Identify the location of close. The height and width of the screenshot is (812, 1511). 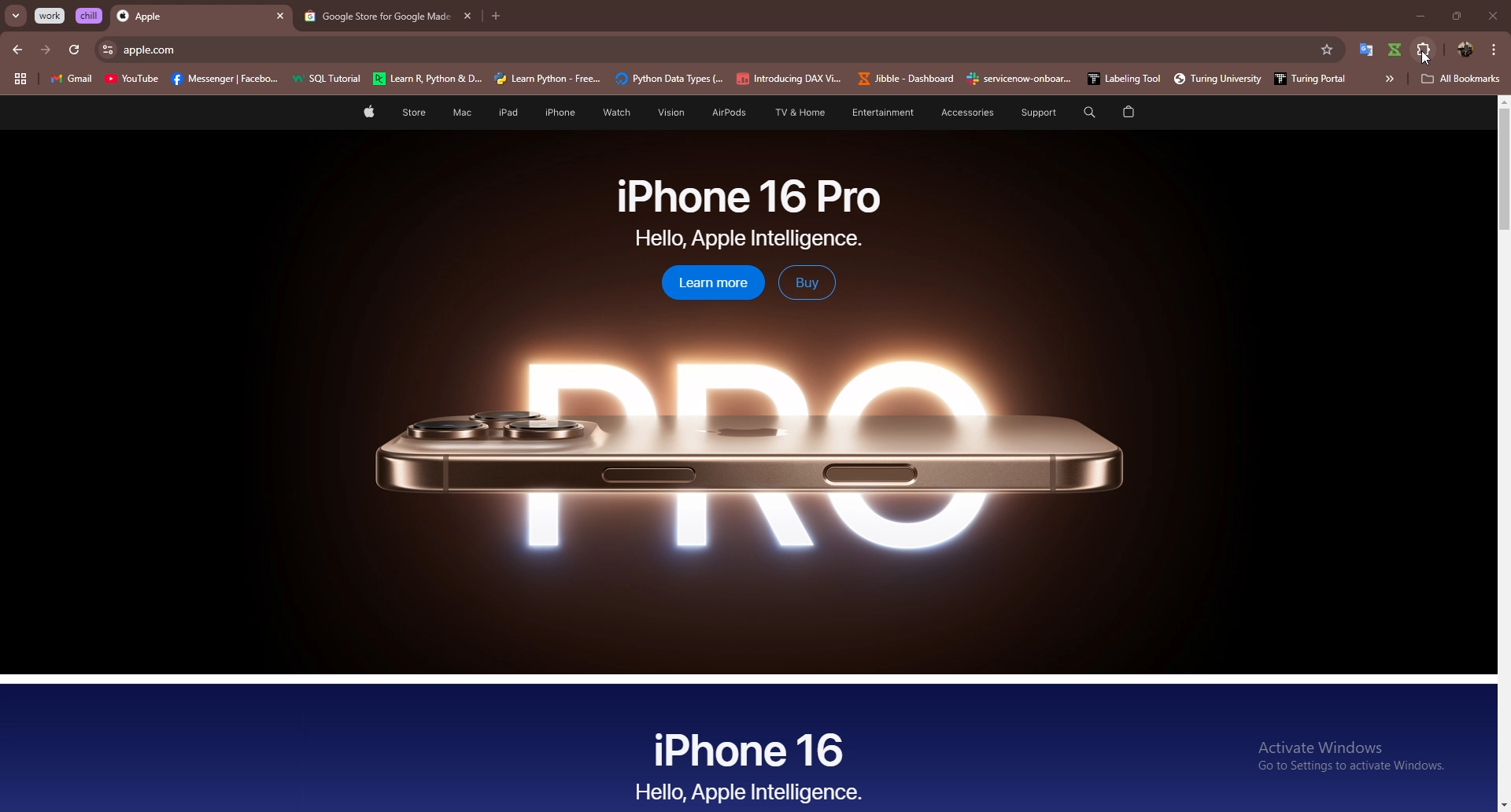
(1492, 16).